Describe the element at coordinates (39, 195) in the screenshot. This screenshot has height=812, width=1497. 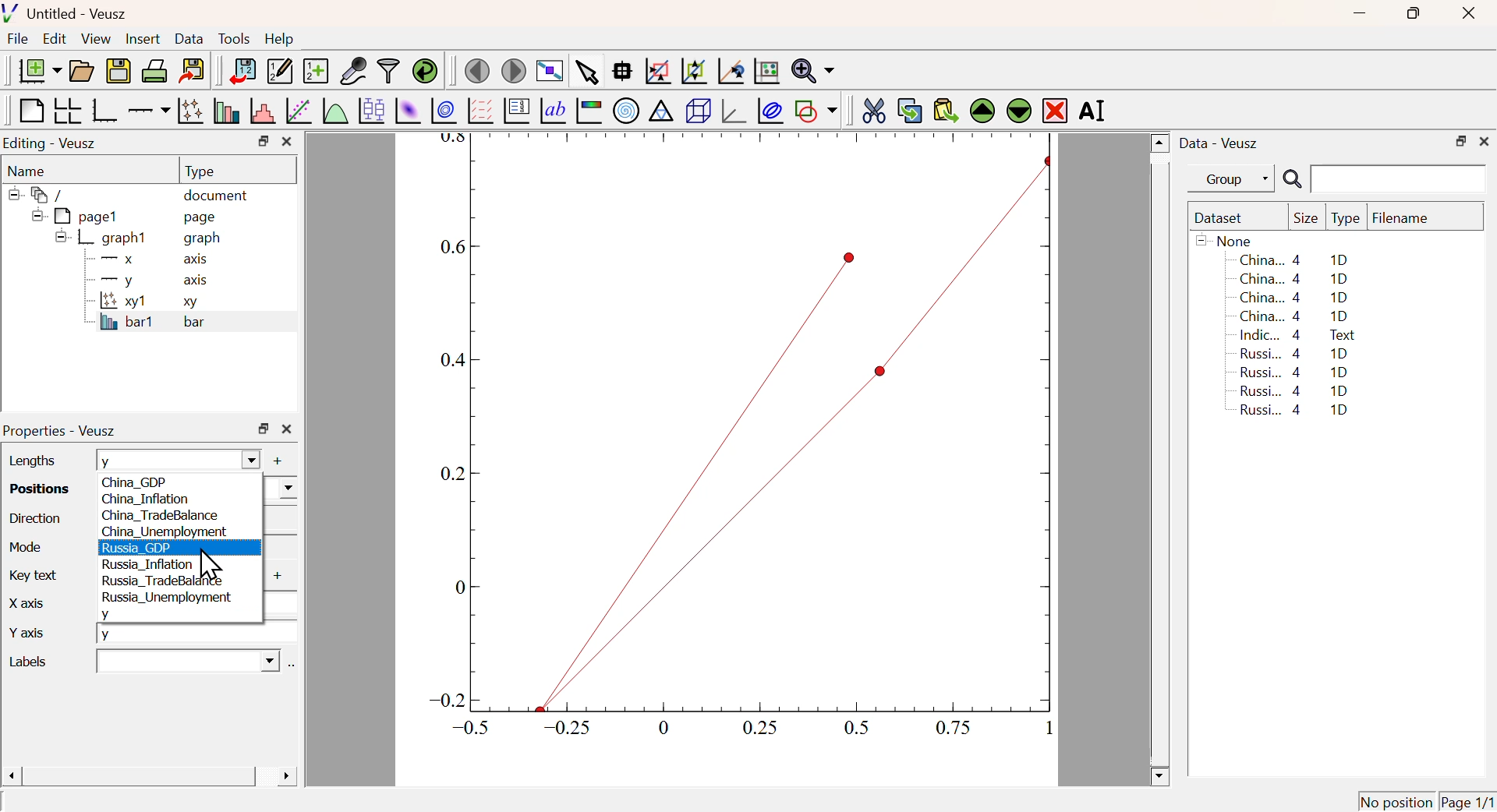
I see `/` at that location.